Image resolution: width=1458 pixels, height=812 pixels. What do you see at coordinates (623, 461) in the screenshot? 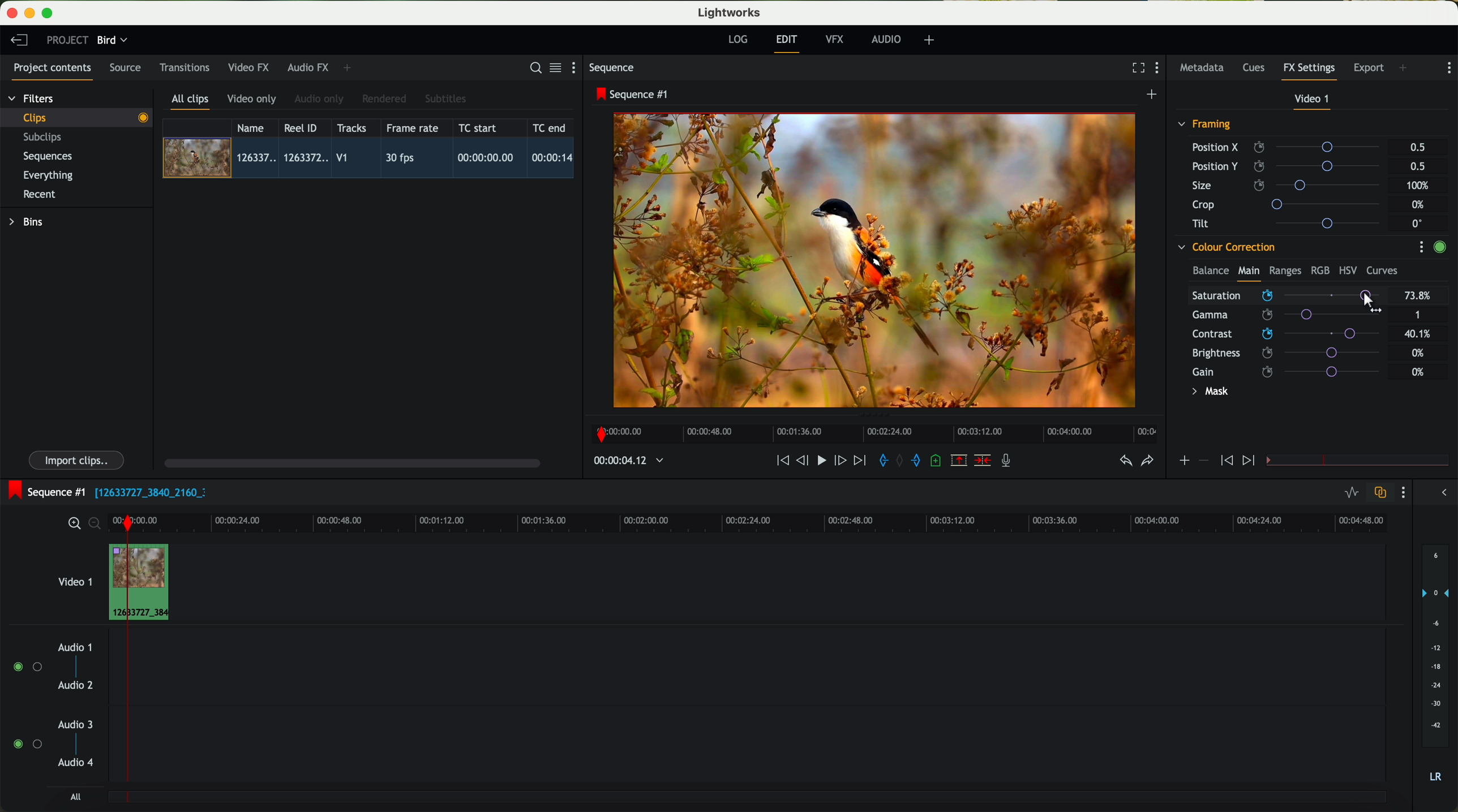
I see `timeline` at bounding box center [623, 461].